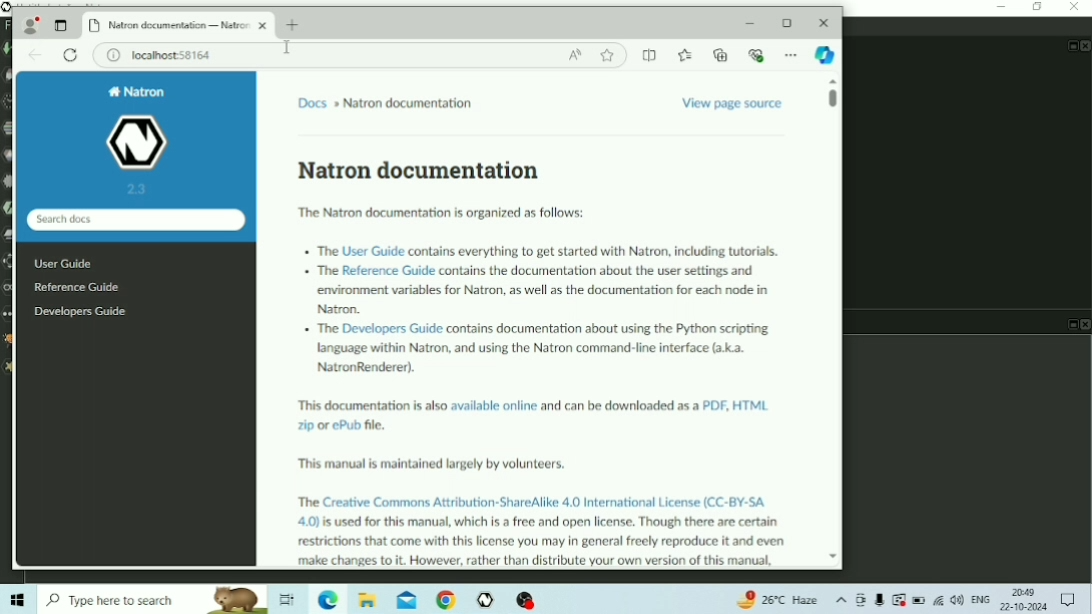  Describe the element at coordinates (161, 56) in the screenshot. I see `Page Information` at that location.